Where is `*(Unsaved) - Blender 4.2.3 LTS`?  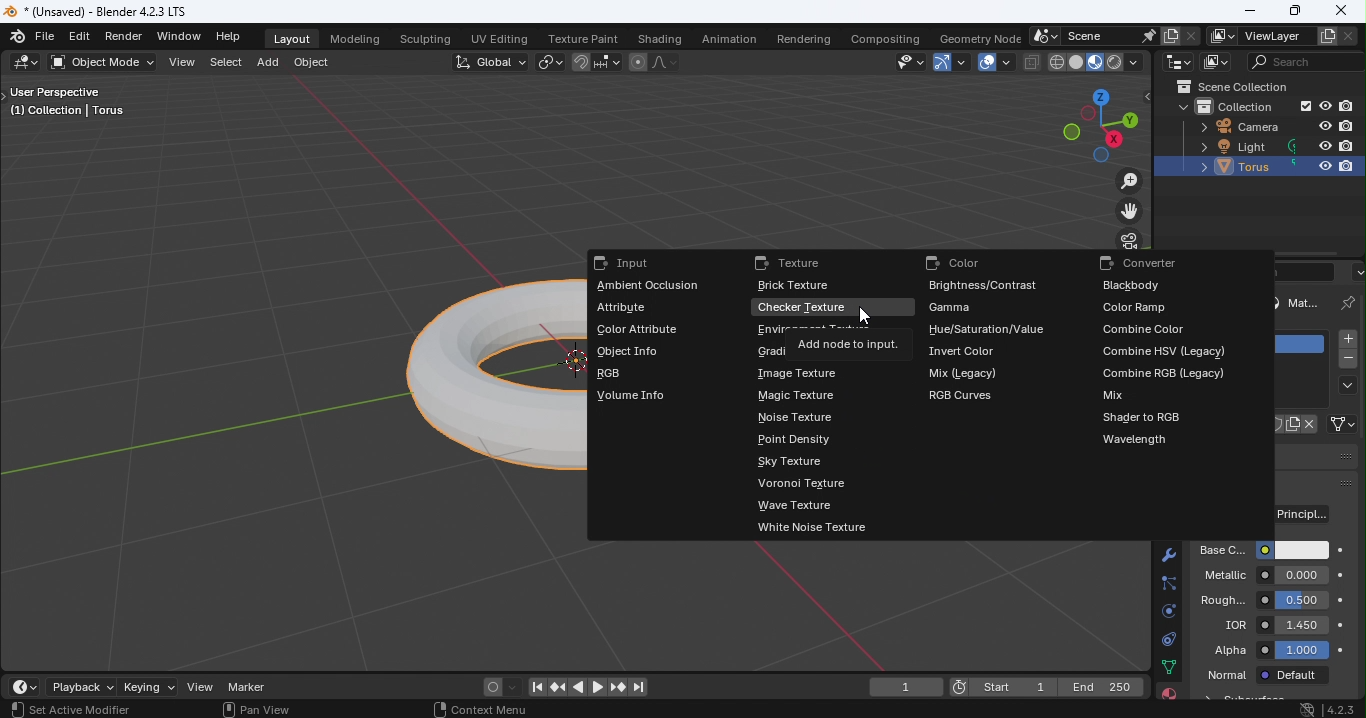
*(Unsaved) - Blender 4.2.3 LTS is located at coordinates (96, 12).